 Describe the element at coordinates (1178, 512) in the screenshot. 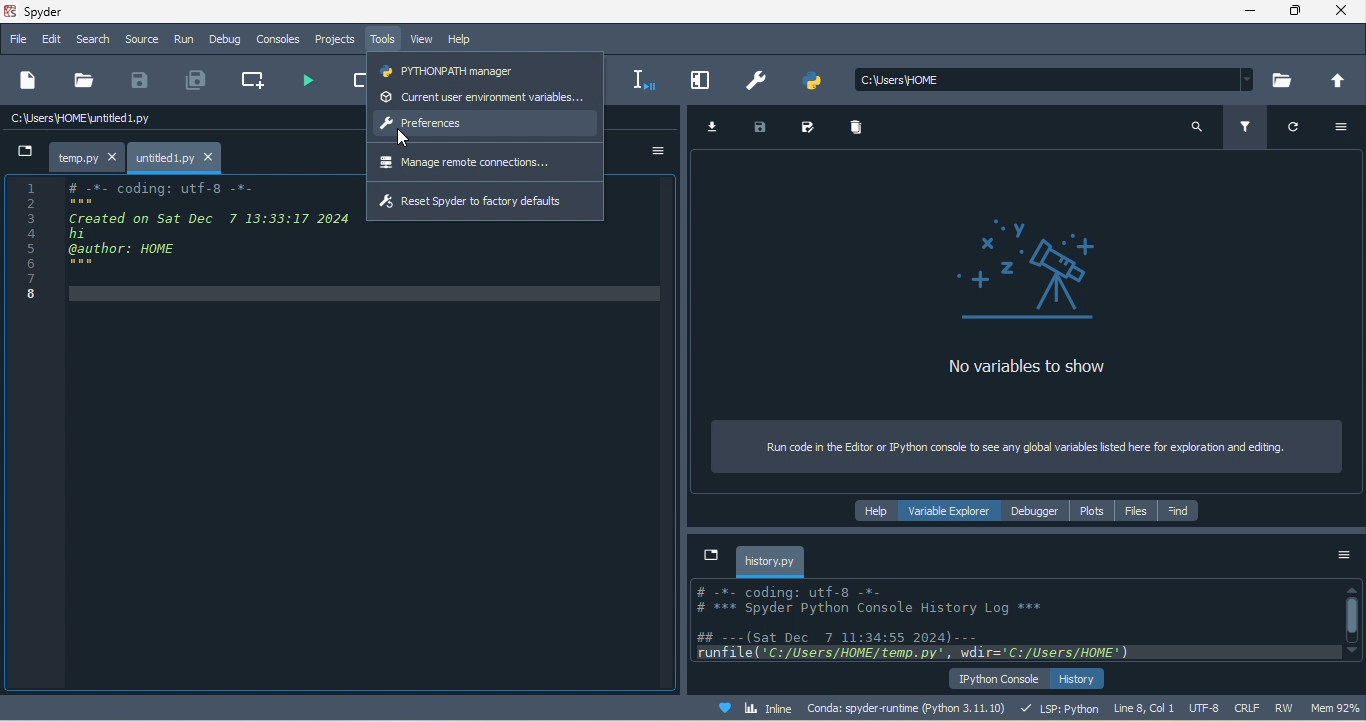

I see `find` at that location.